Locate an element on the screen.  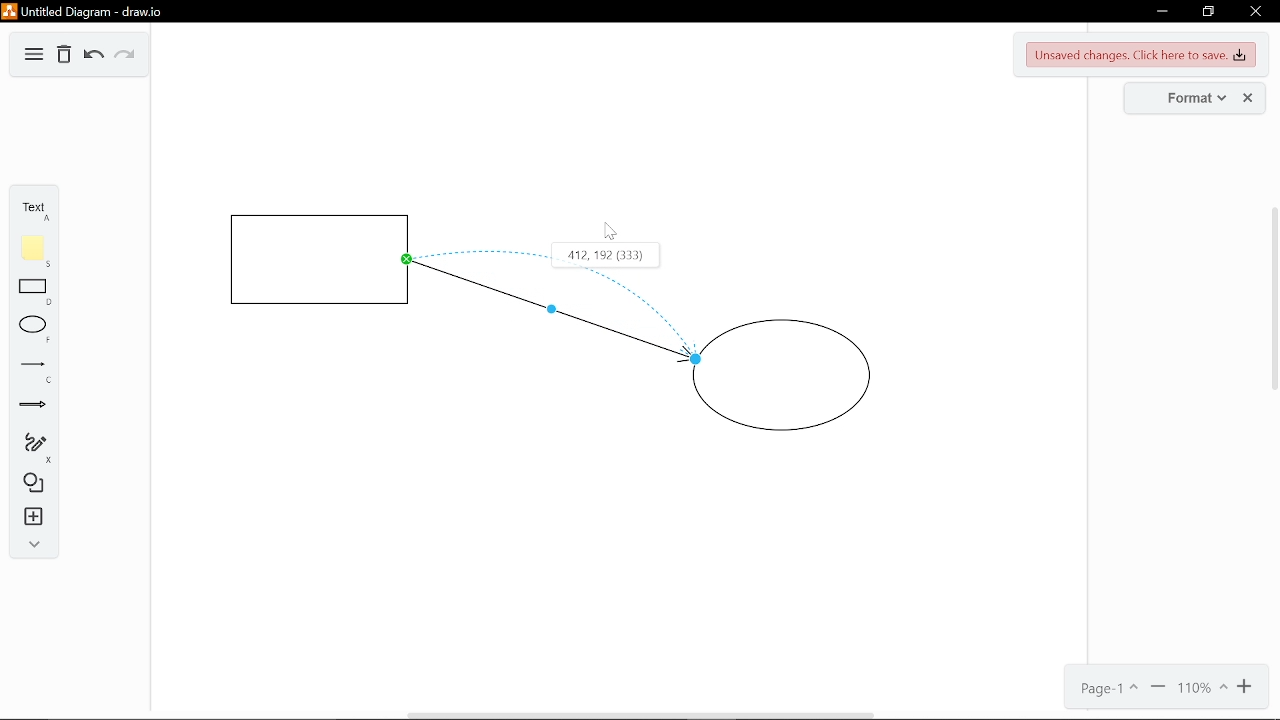
Ellipse is located at coordinates (30, 330).